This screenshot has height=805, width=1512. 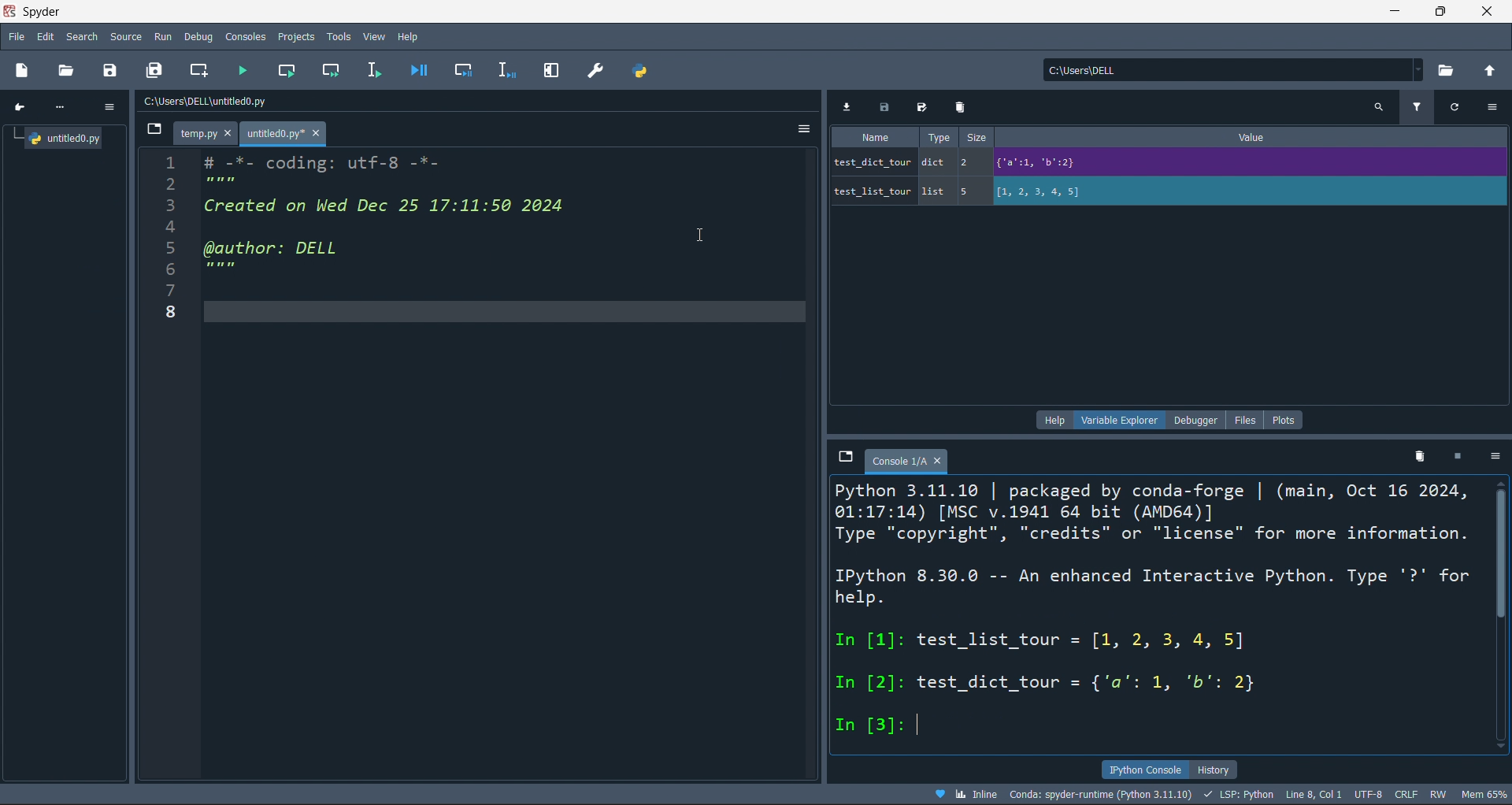 I want to click on temp.py, so click(x=209, y=135).